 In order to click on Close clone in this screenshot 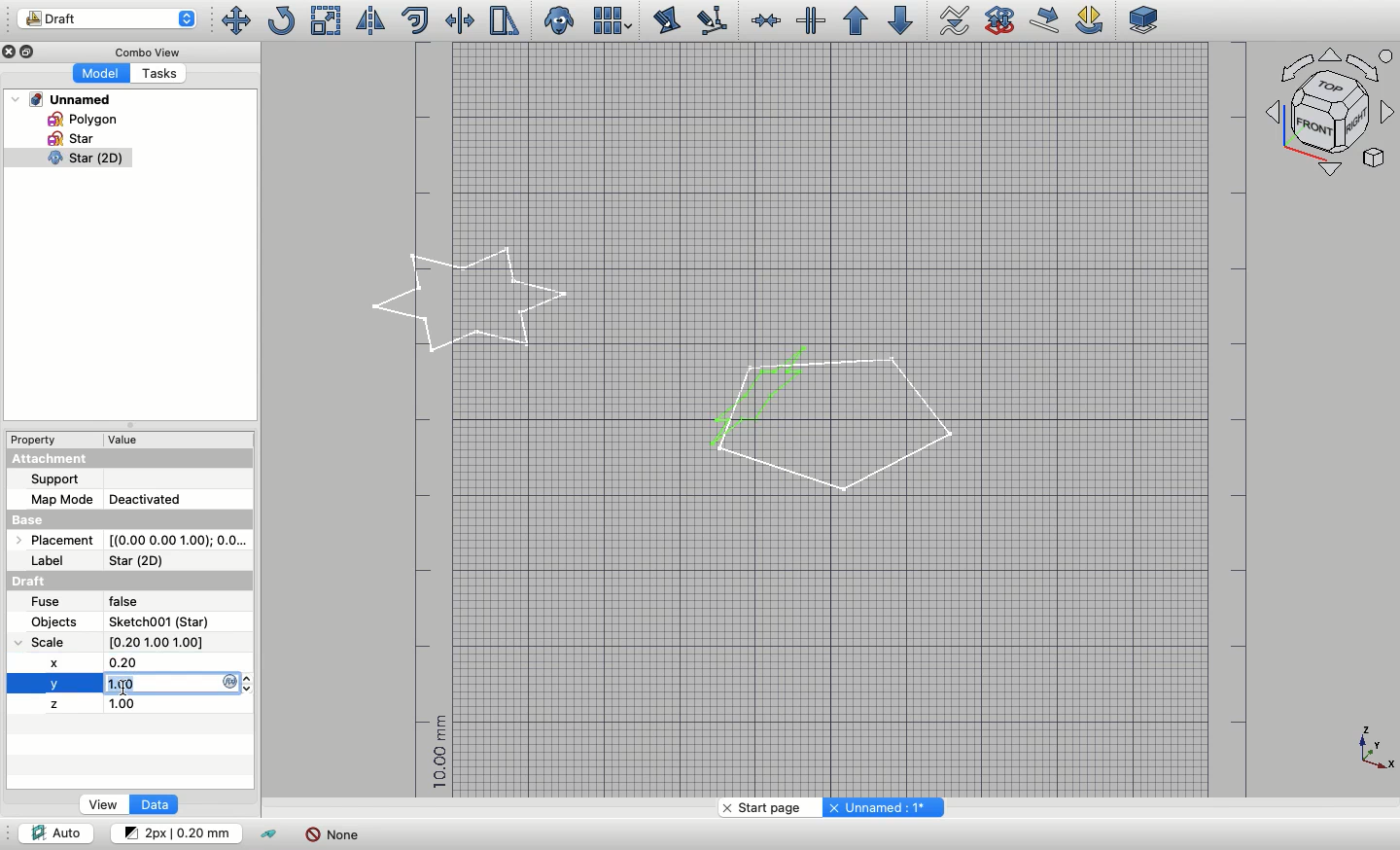, I will do `click(561, 21)`.